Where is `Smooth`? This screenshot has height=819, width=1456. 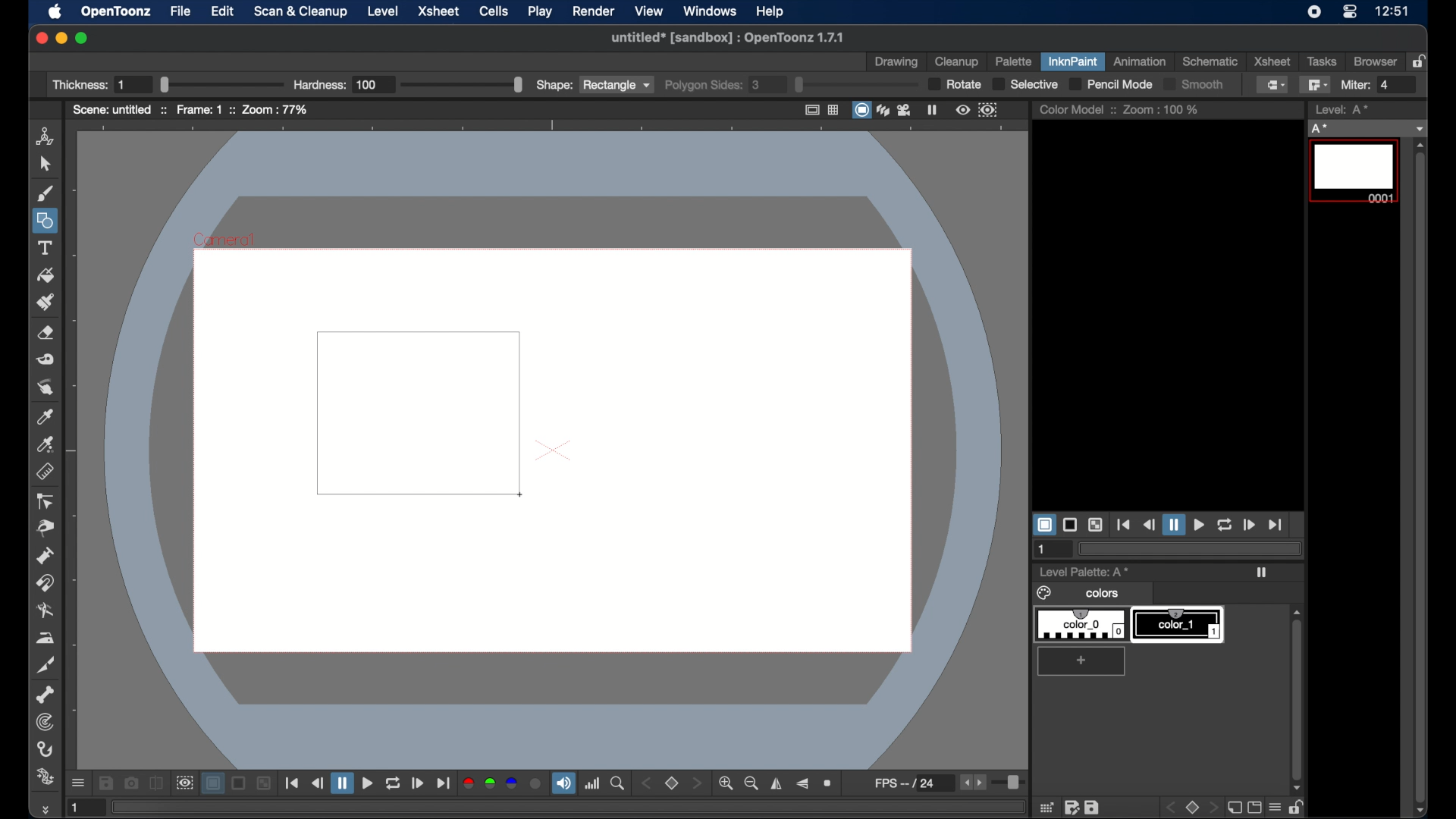 Smooth is located at coordinates (1201, 86).